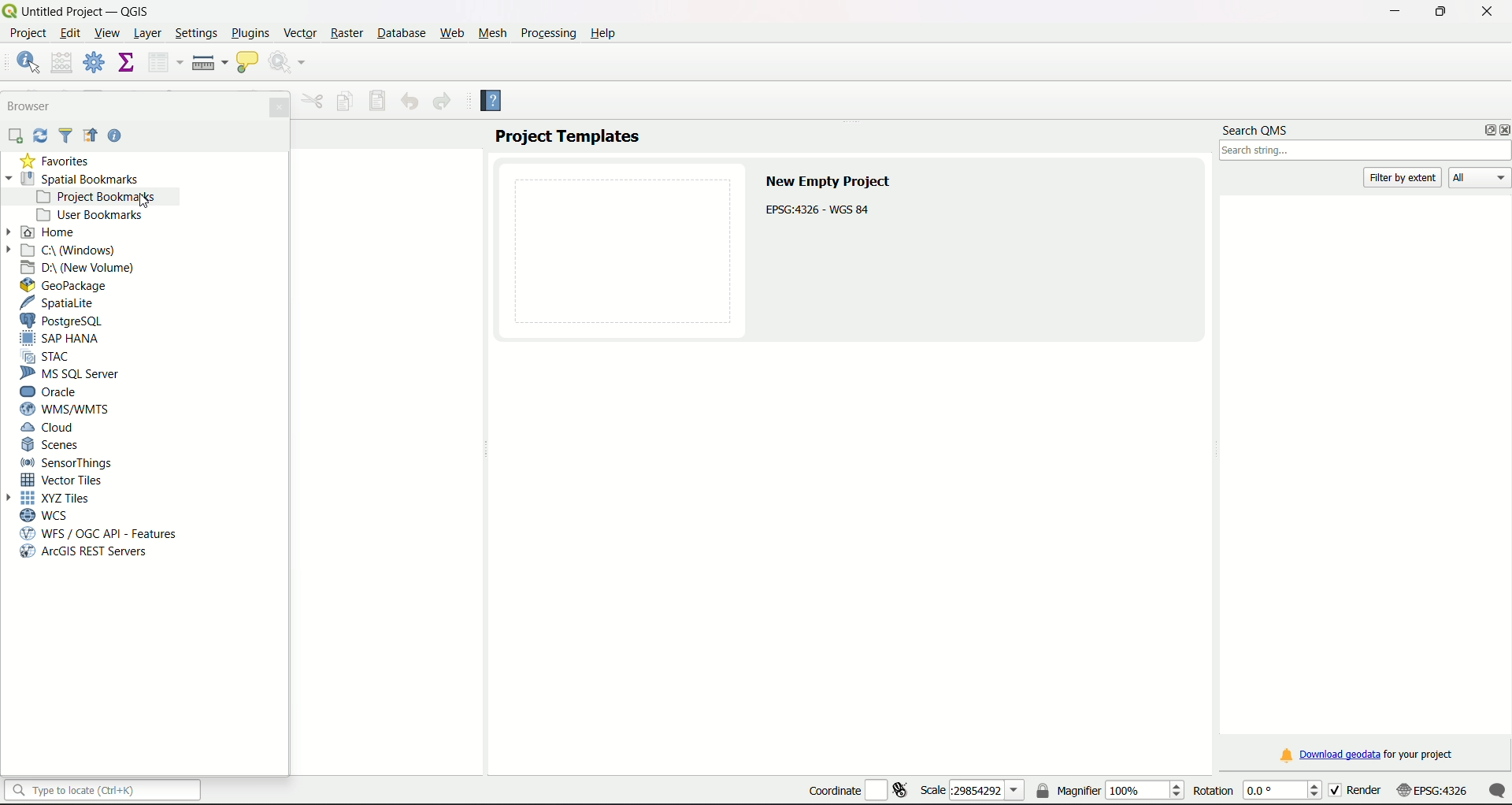  Describe the element at coordinates (1461, 792) in the screenshot. I see `scale` at that location.